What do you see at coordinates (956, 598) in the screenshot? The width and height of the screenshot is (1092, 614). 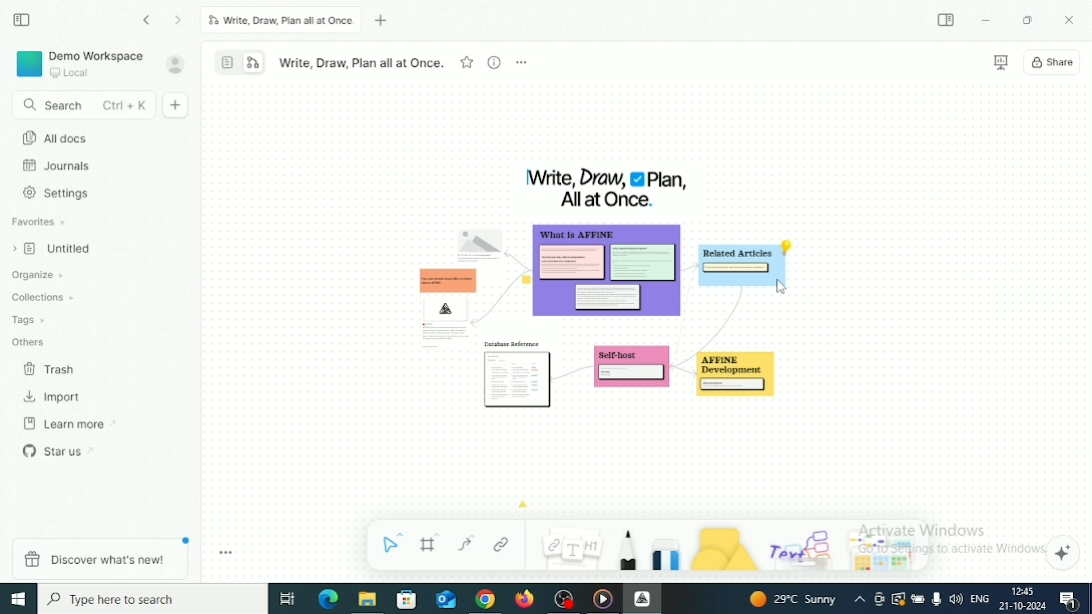 I see `Speakers` at bounding box center [956, 598].